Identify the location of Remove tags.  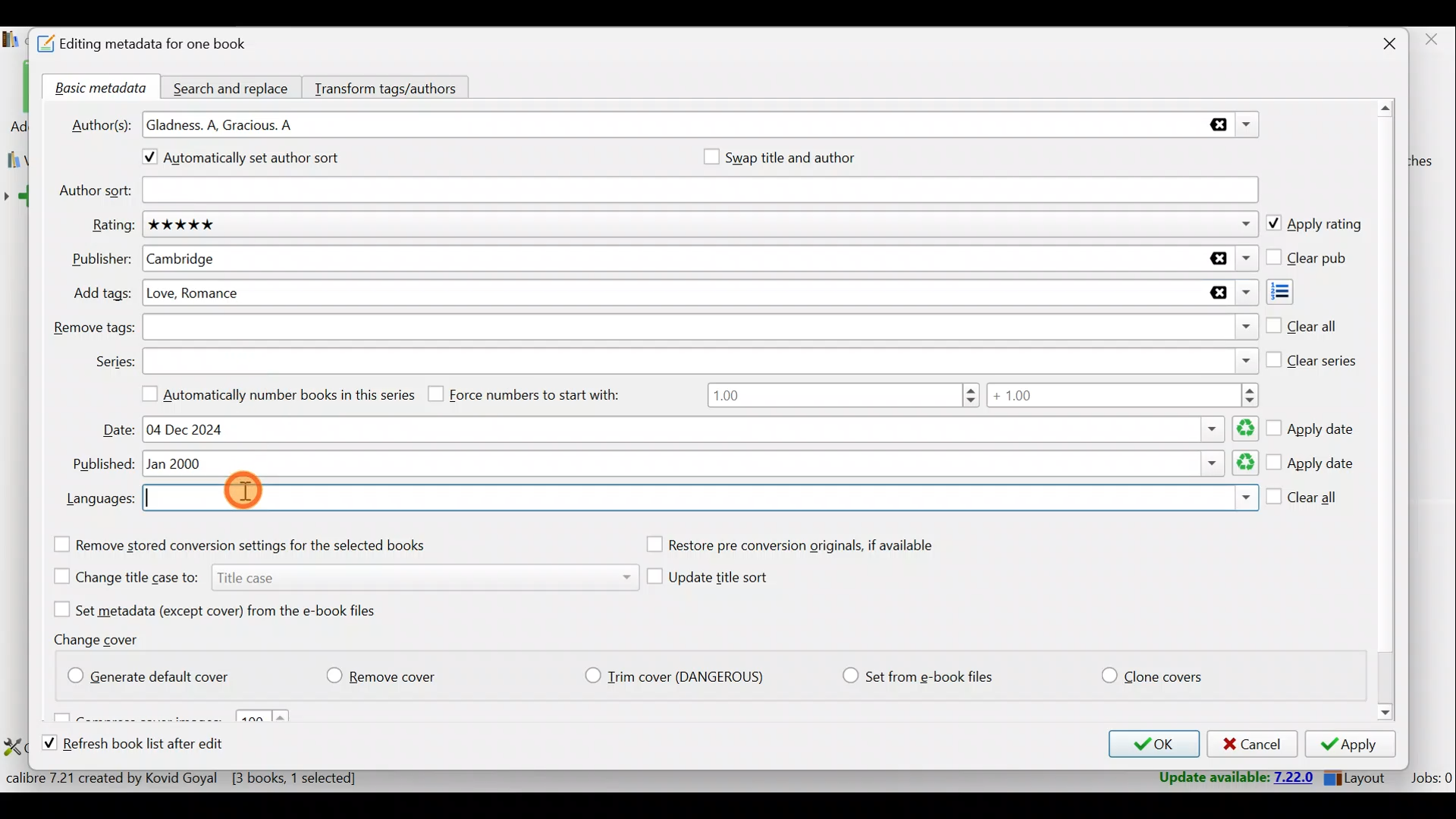
(698, 327).